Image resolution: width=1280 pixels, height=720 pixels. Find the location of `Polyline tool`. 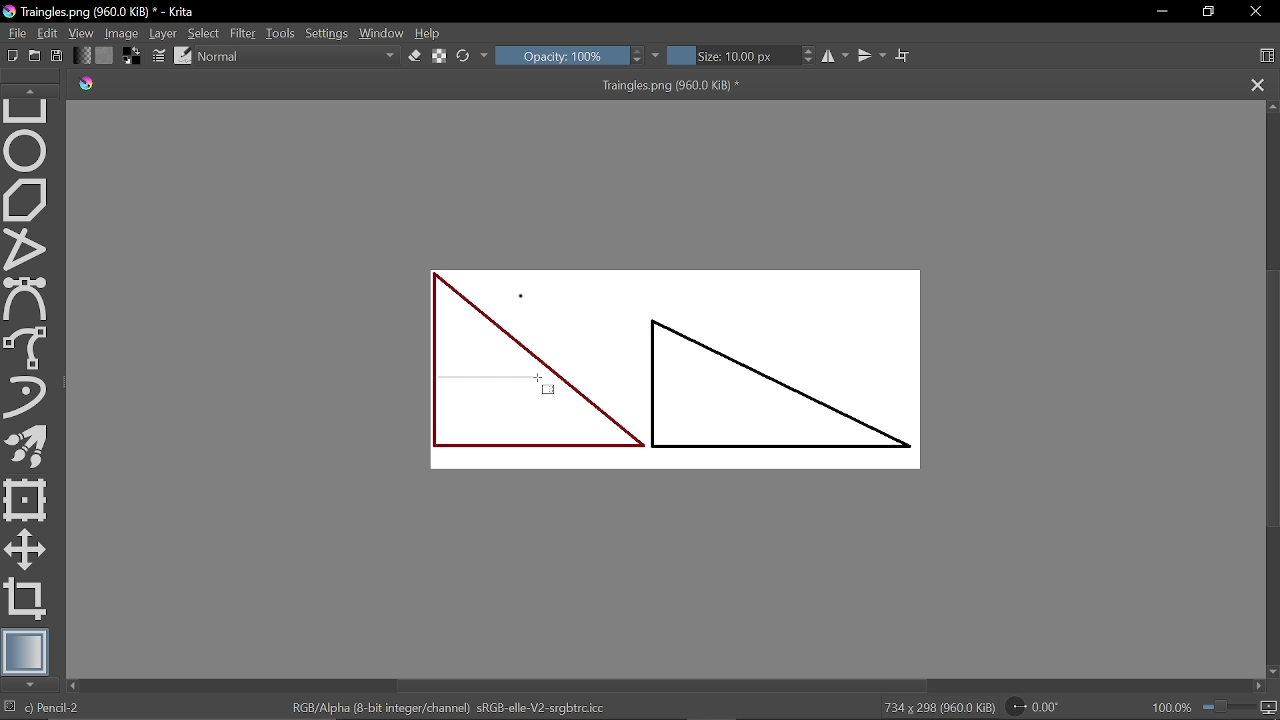

Polyline tool is located at coordinates (26, 251).